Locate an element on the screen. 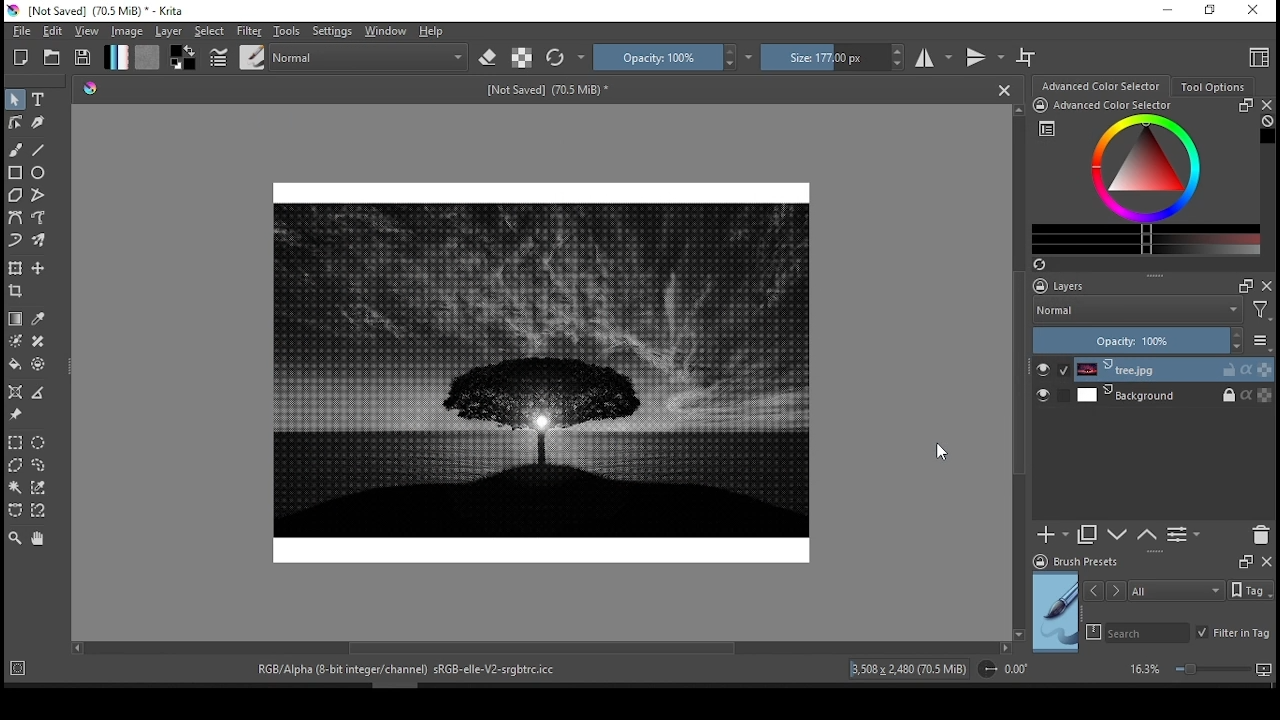 This screenshot has width=1280, height=720. enclose and fill tool is located at coordinates (40, 365).